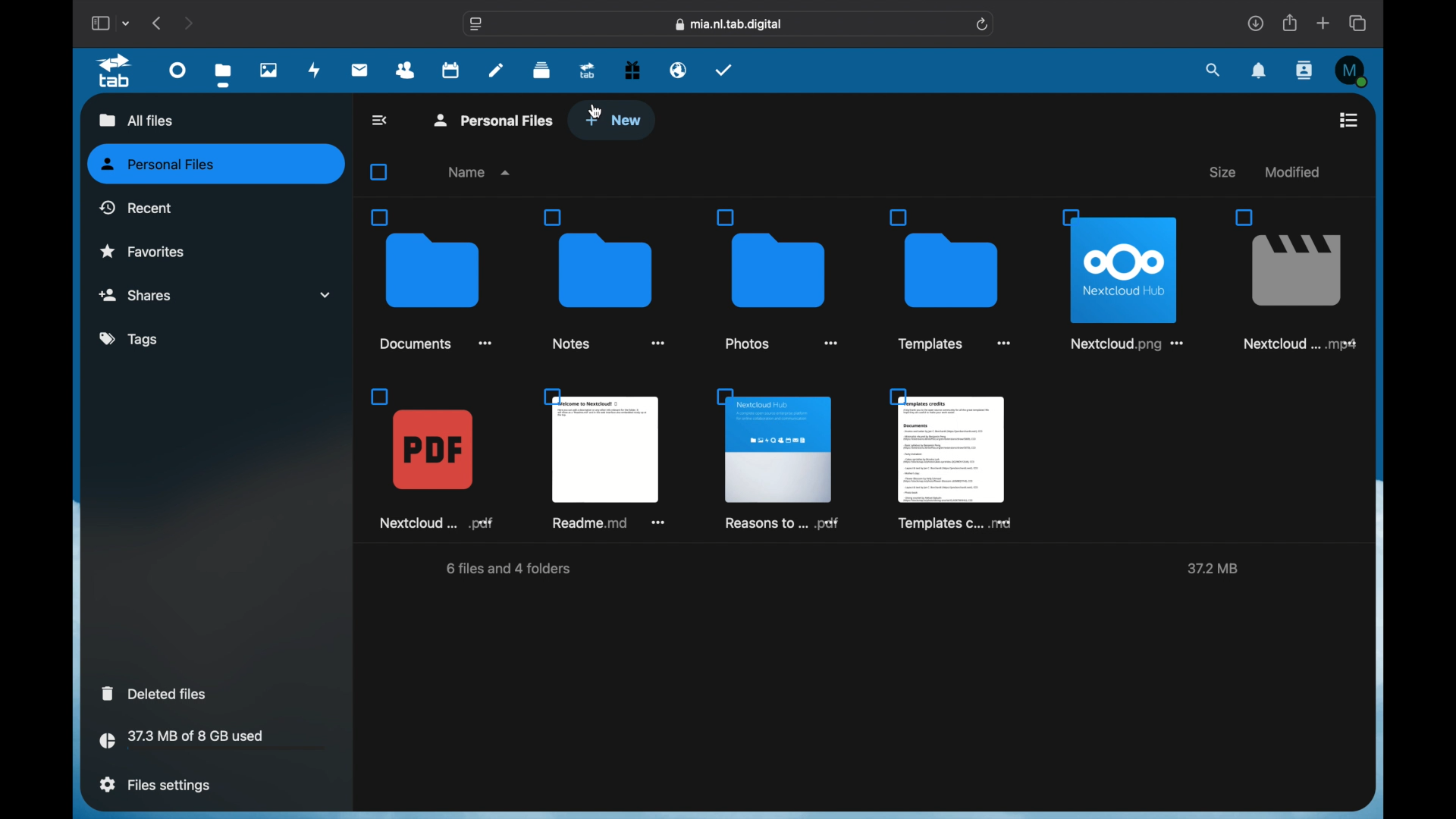 The image size is (1456, 819). I want to click on share, so click(1291, 23).